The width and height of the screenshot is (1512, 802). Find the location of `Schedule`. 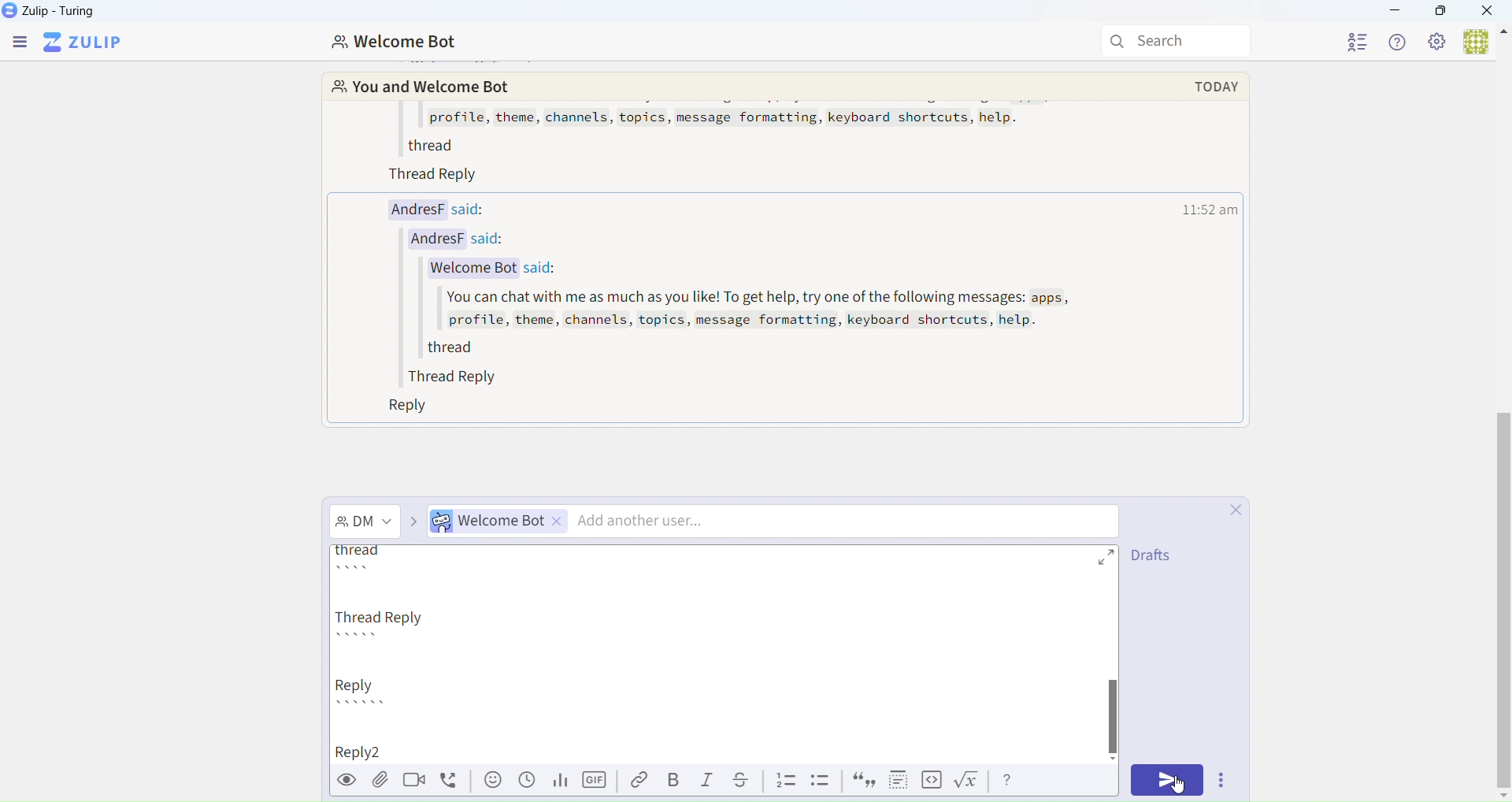

Schedule is located at coordinates (526, 782).